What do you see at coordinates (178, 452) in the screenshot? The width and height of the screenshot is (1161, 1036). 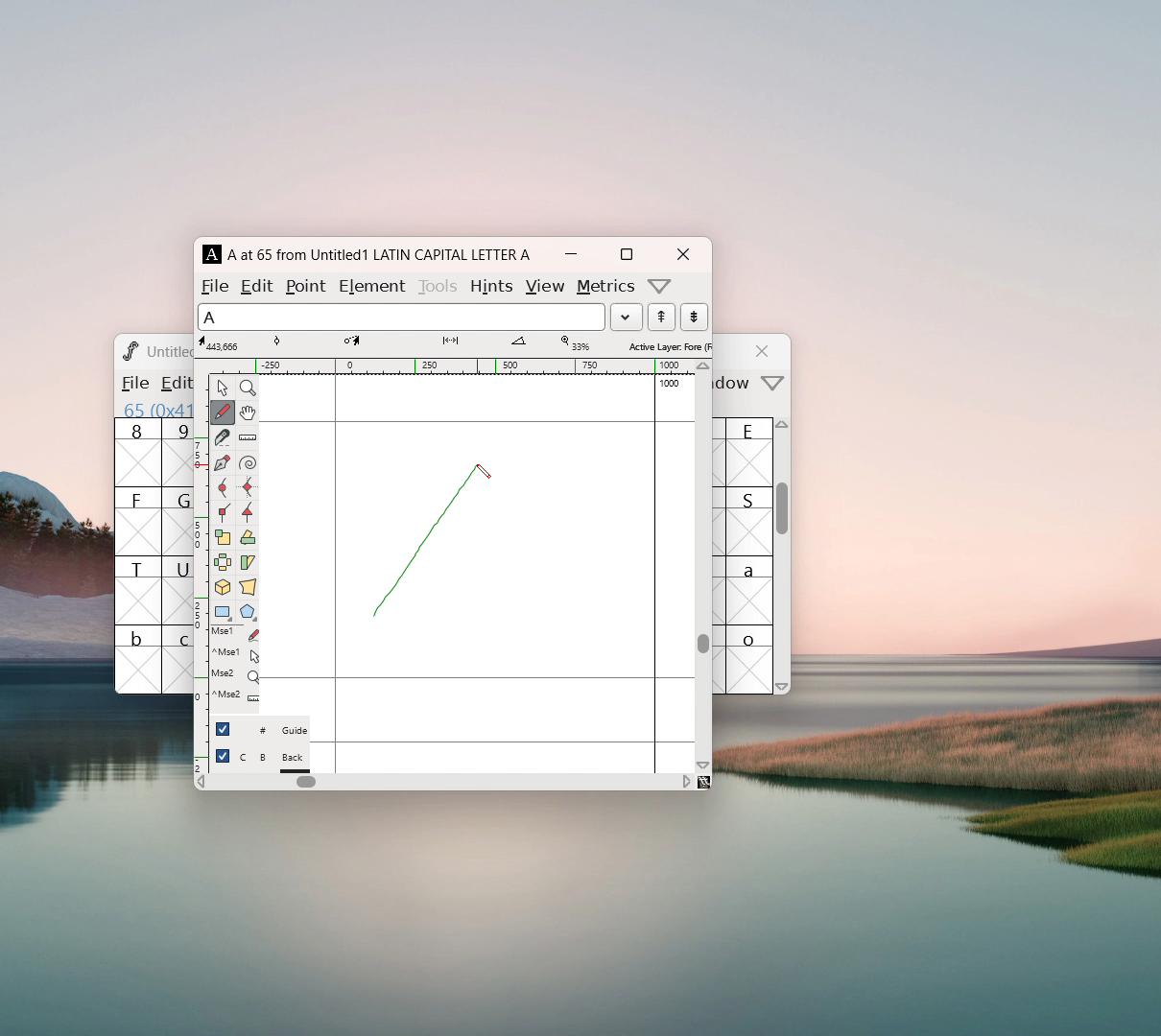 I see `9` at bounding box center [178, 452].